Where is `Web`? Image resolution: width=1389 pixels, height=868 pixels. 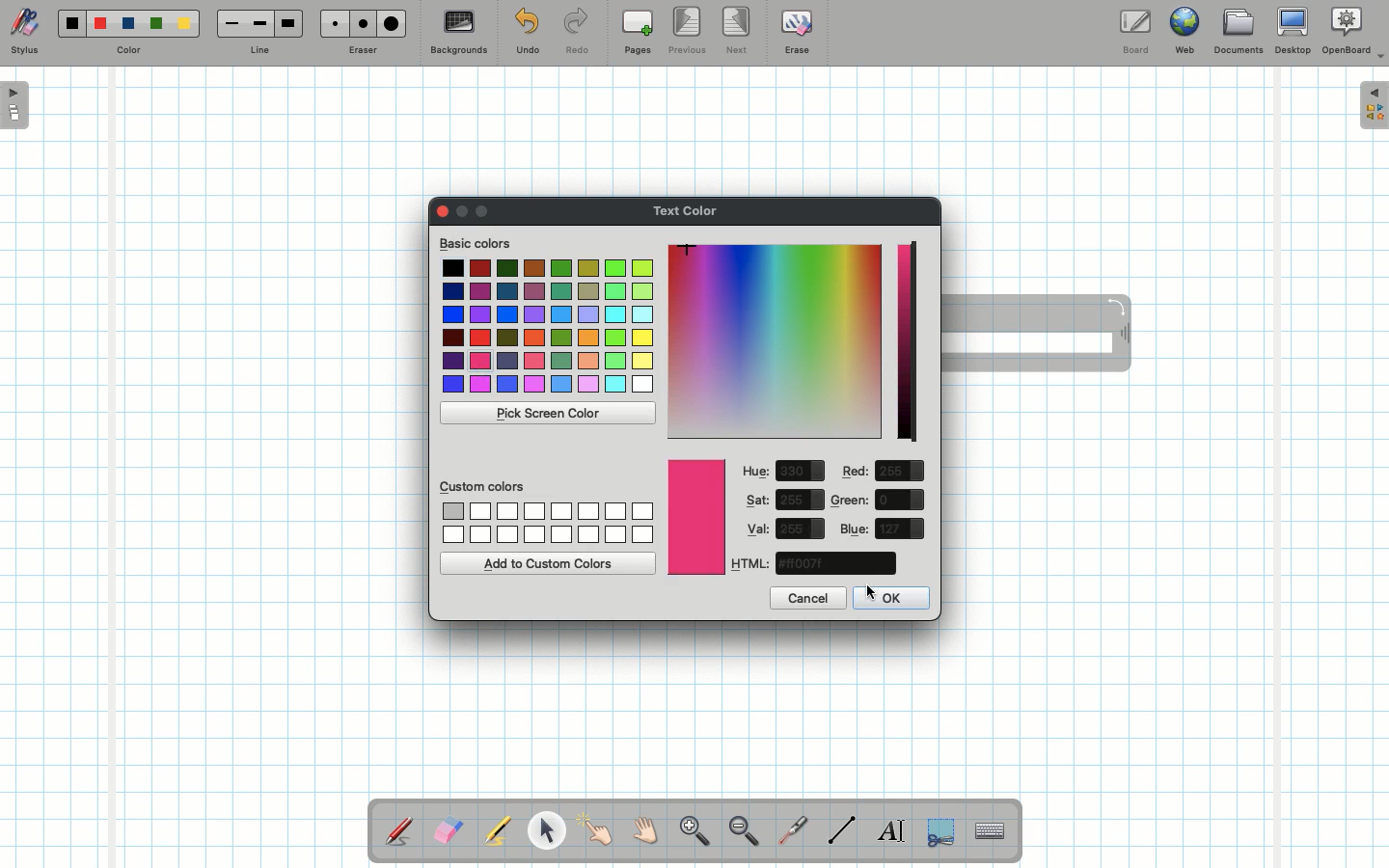
Web is located at coordinates (1184, 35).